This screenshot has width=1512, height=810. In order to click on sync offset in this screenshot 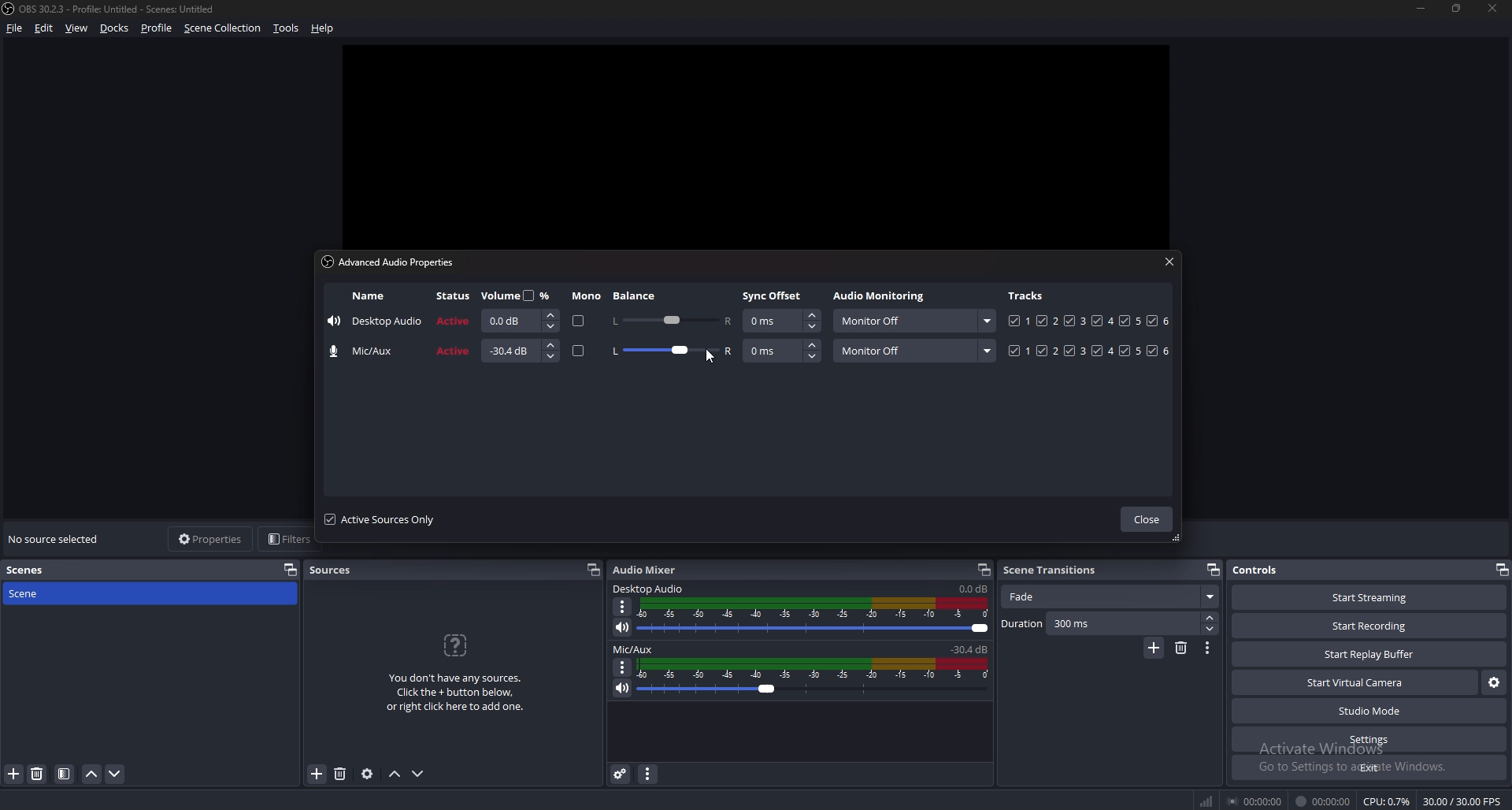, I will do `click(783, 351)`.